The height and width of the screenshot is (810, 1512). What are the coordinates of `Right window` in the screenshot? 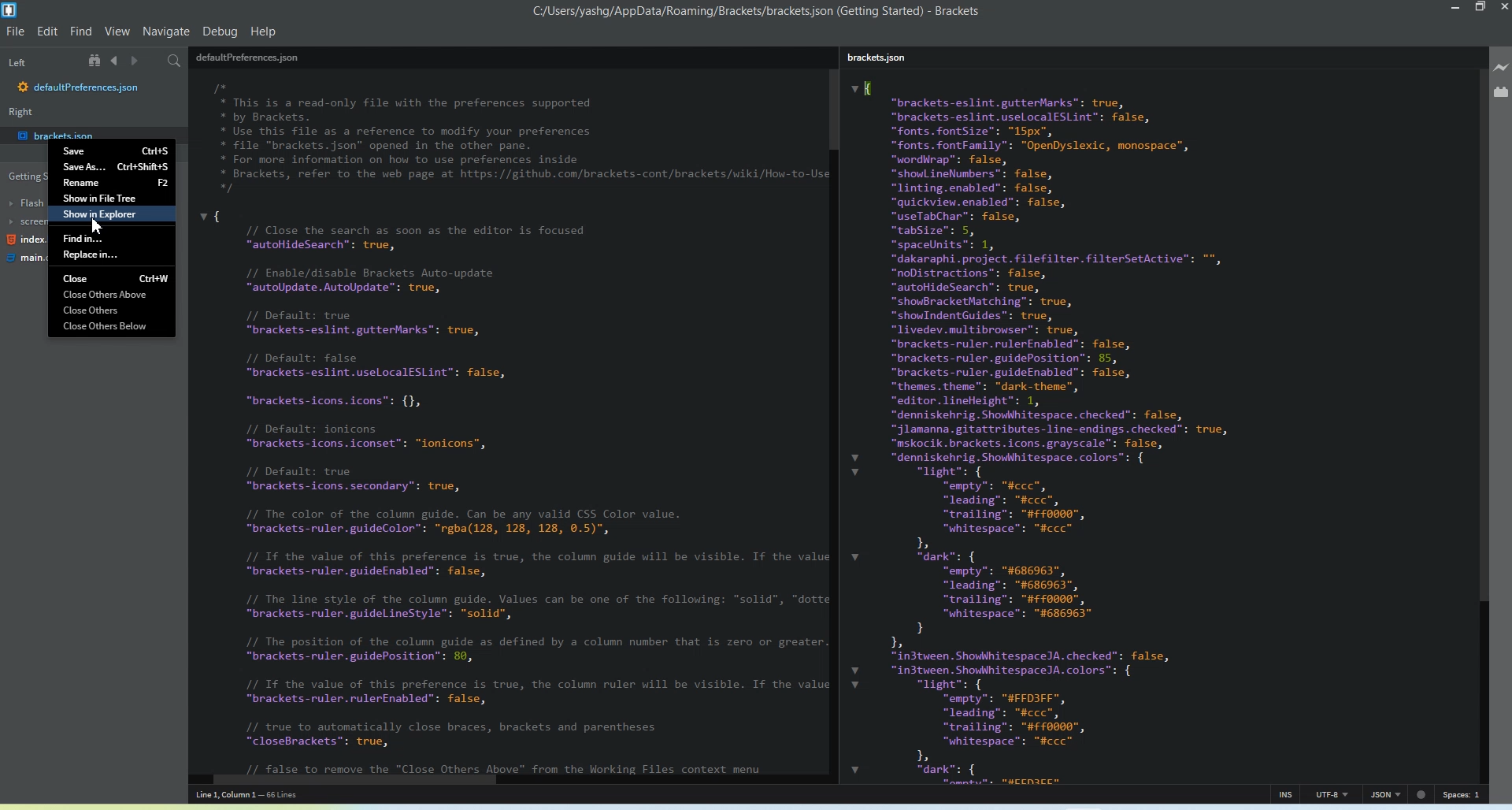 It's located at (24, 113).